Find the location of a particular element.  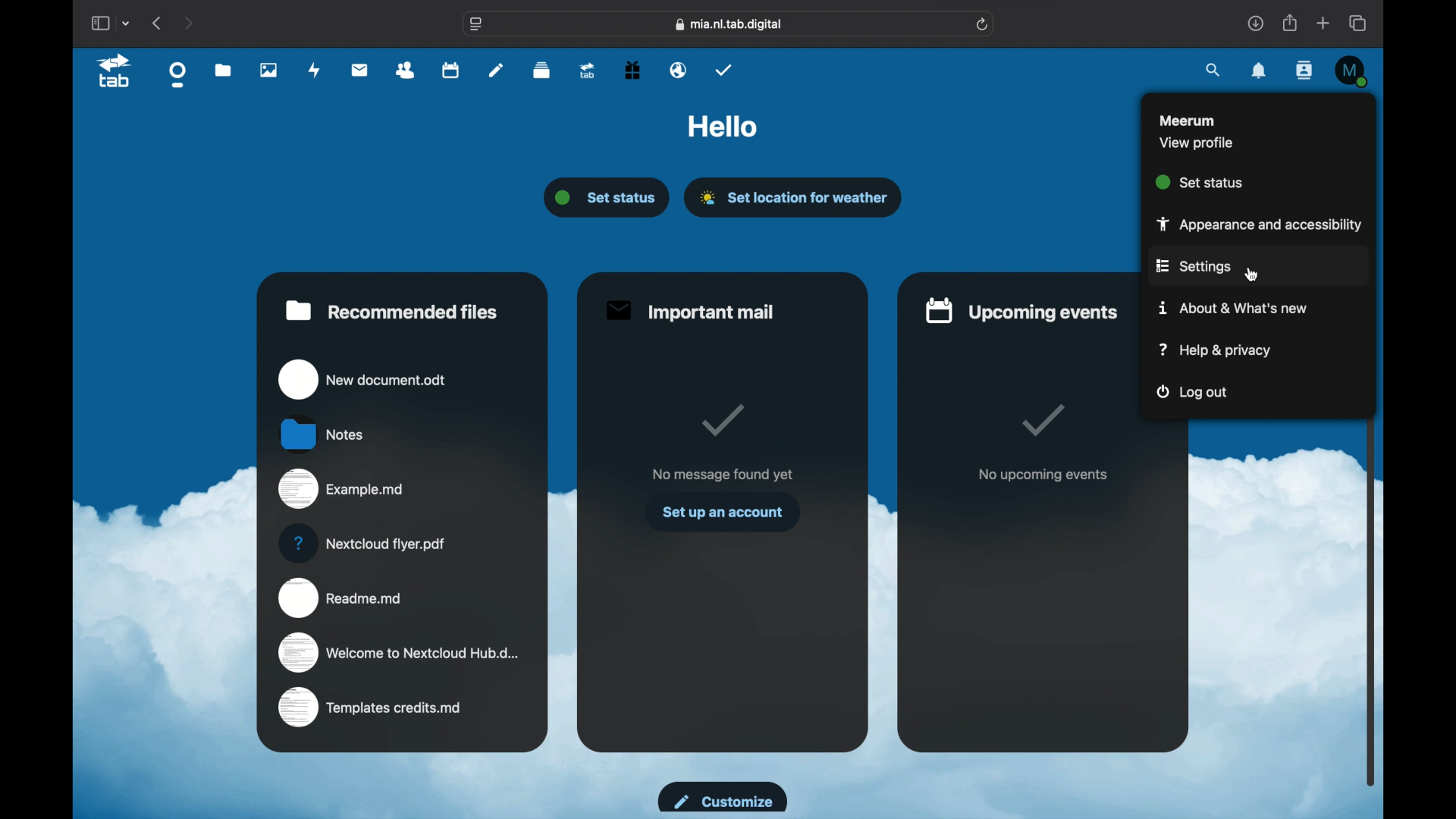

share is located at coordinates (1291, 23).